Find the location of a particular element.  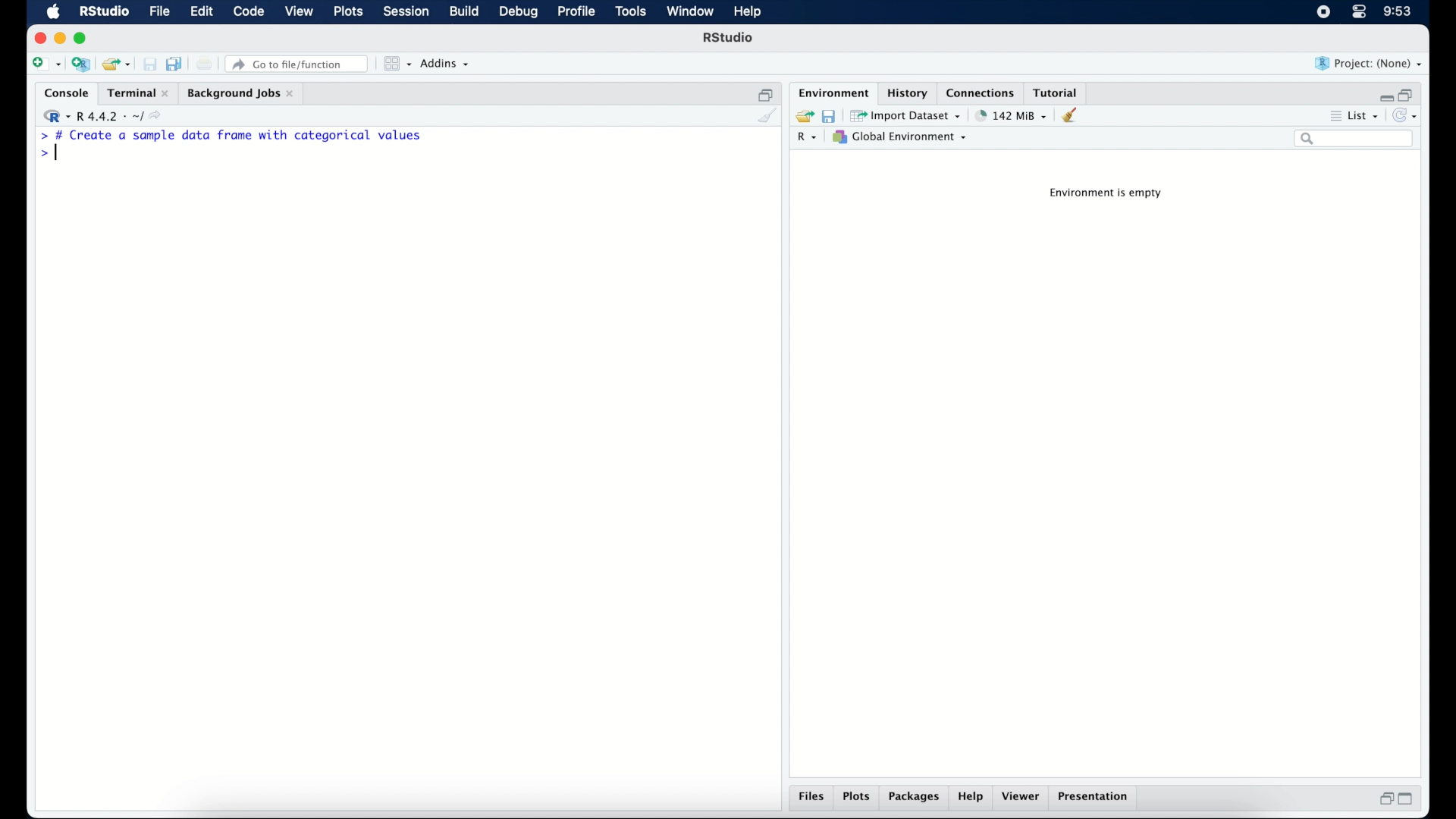

edit is located at coordinates (202, 12).